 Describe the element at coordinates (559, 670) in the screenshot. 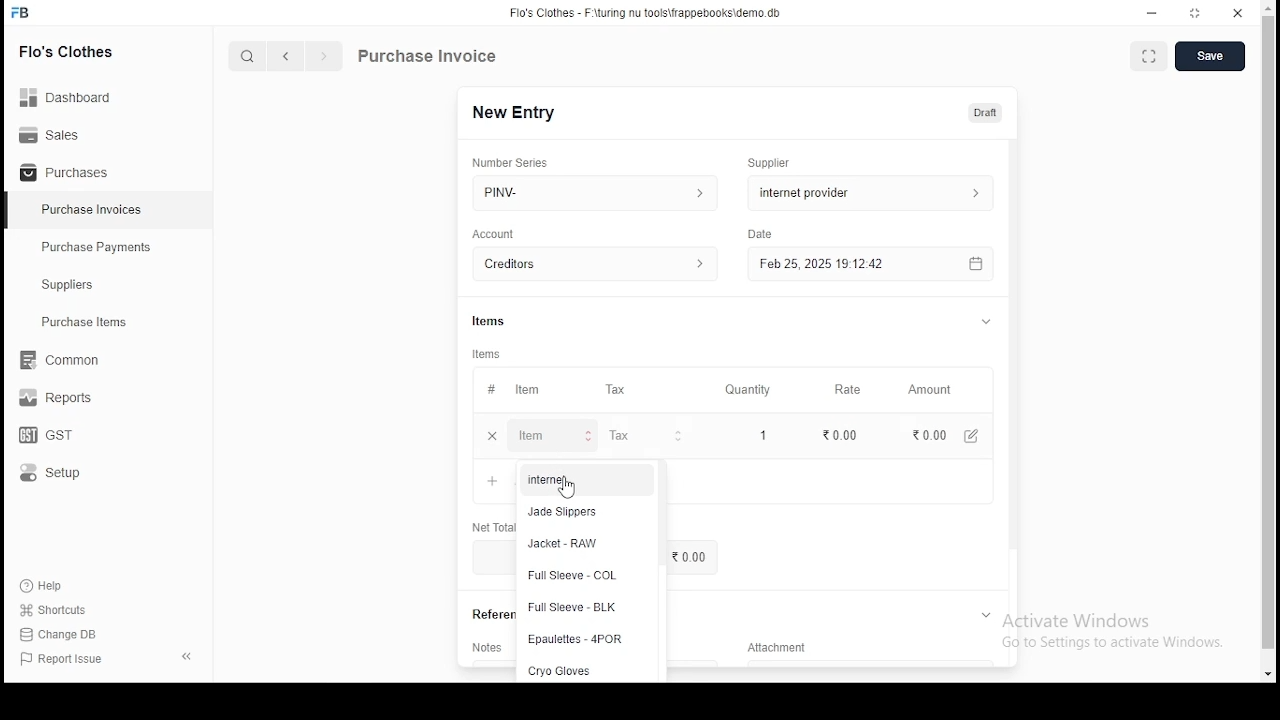

I see `cryo gloves` at that location.